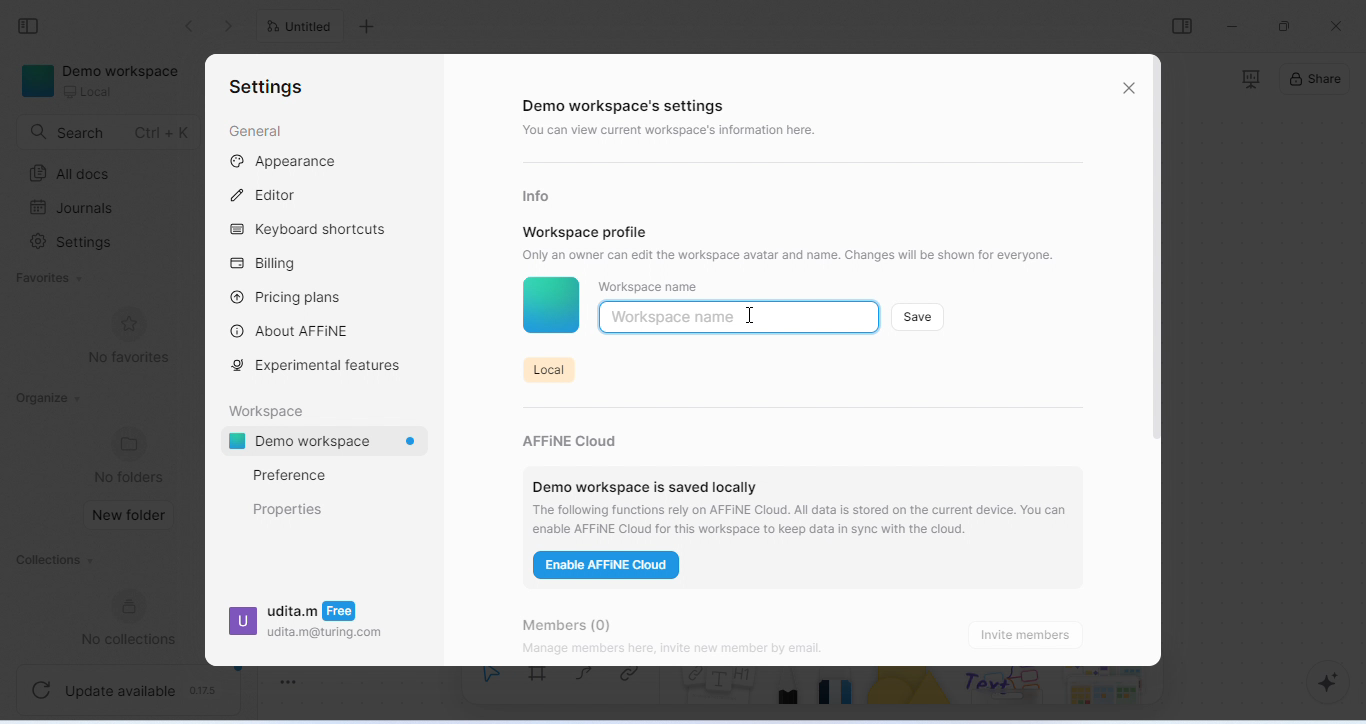  Describe the element at coordinates (131, 516) in the screenshot. I see `new folder` at that location.